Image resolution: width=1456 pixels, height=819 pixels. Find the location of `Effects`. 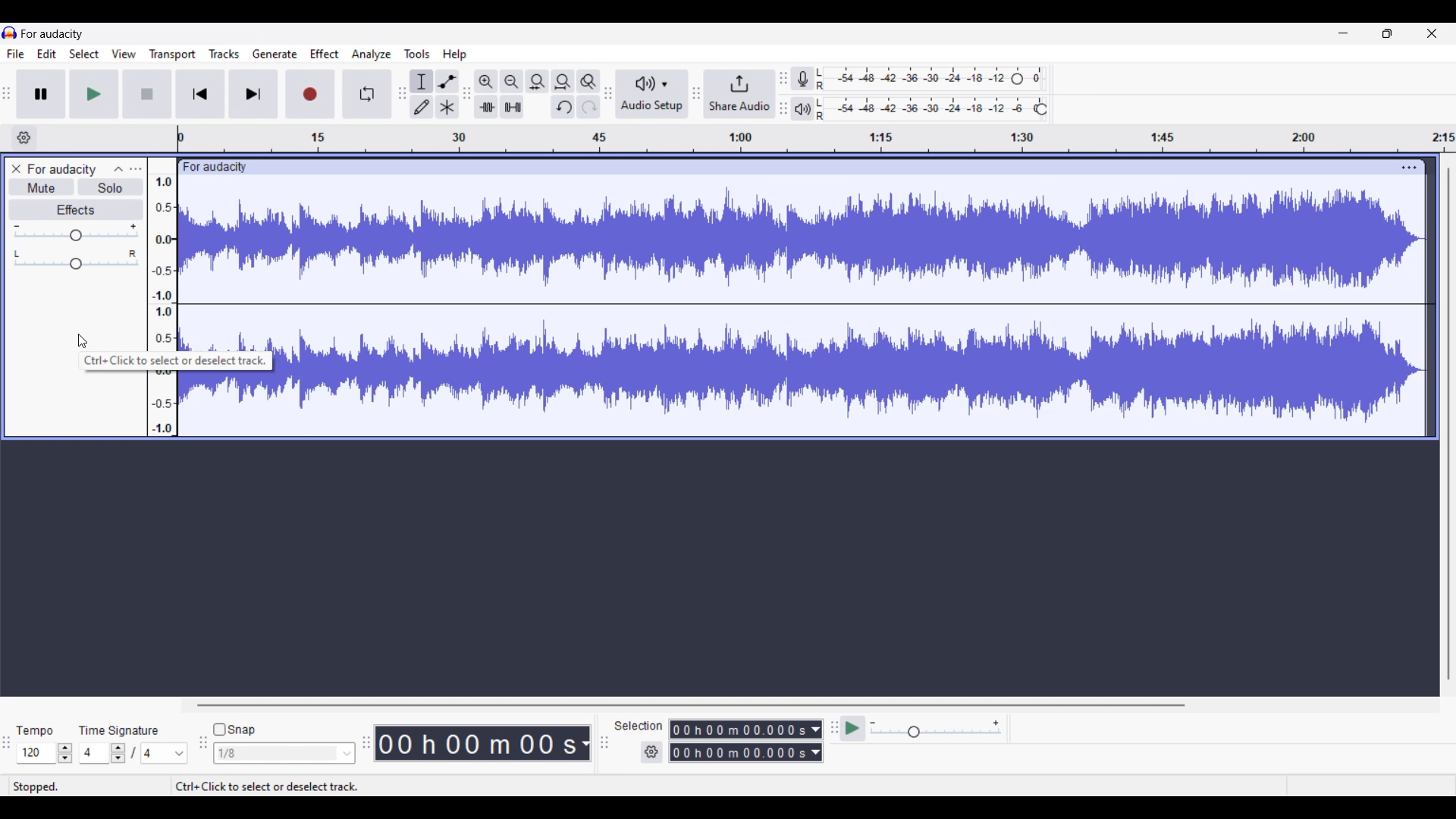

Effects is located at coordinates (75, 210).